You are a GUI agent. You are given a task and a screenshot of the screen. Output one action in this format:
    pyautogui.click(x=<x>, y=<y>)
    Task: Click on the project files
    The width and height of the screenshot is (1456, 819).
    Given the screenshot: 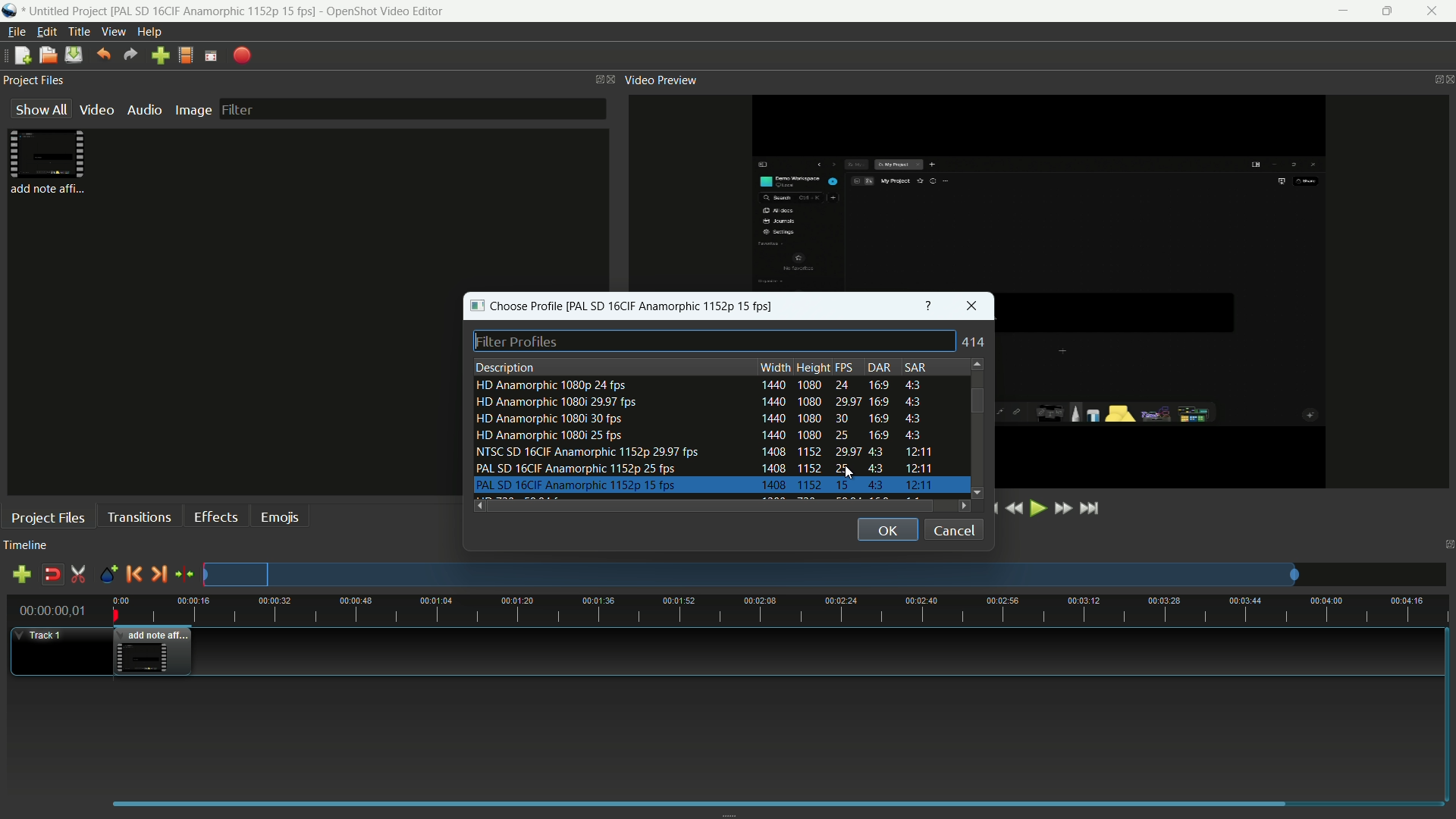 What is the action you would take?
    pyautogui.click(x=49, y=517)
    